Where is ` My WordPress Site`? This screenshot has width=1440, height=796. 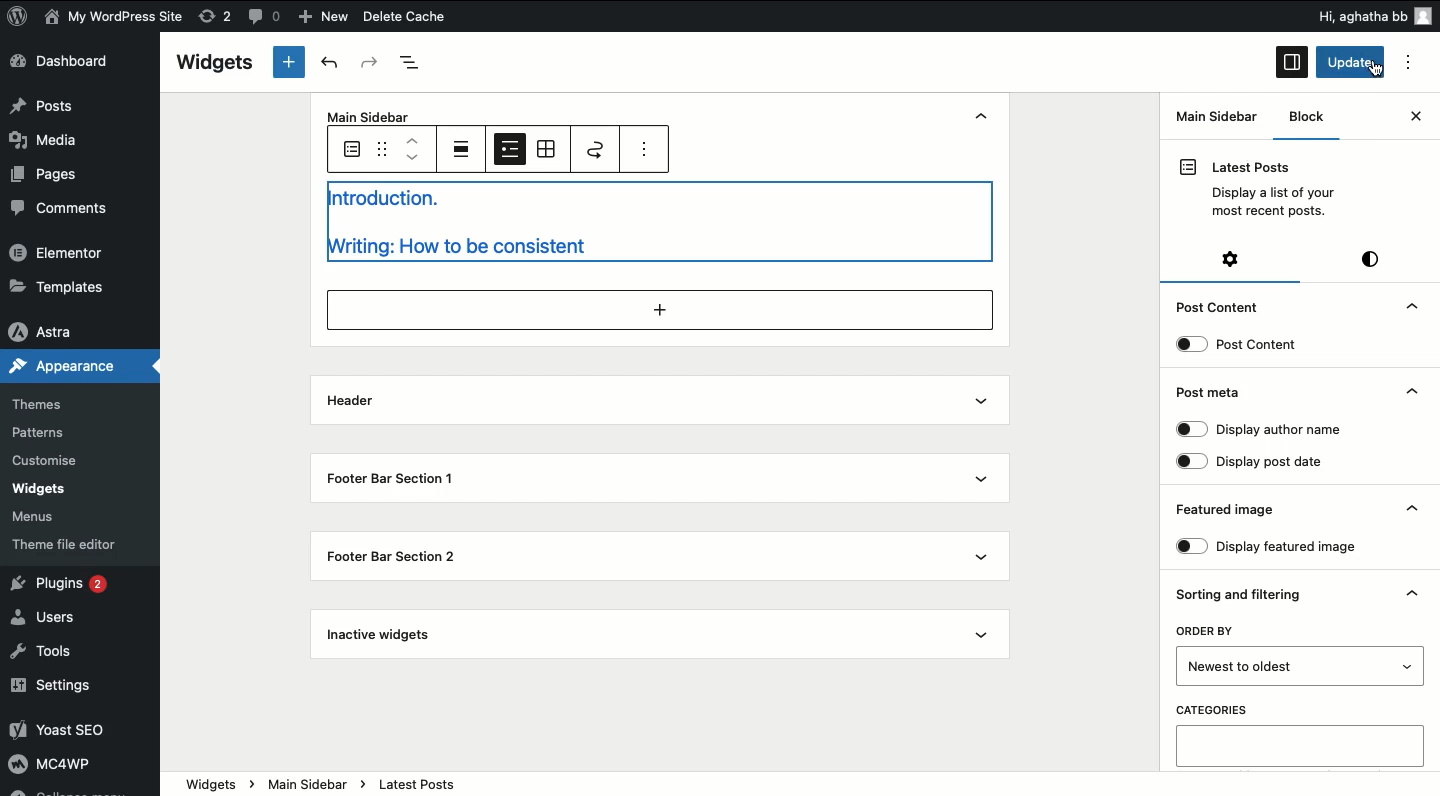
 My WordPress Site is located at coordinates (118, 18).